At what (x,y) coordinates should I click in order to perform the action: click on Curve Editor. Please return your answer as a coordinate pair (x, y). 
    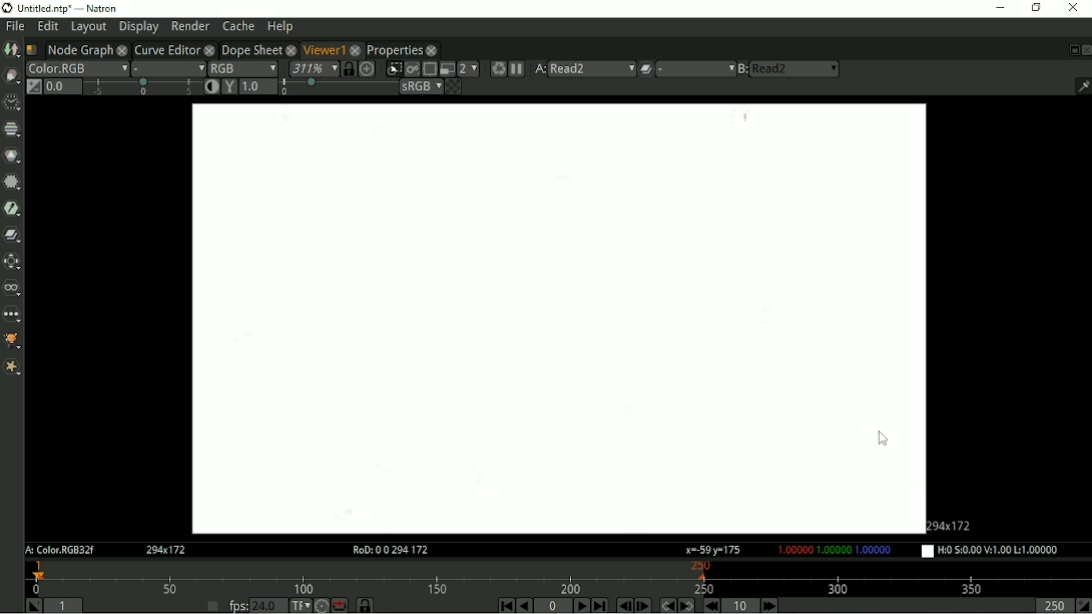
    Looking at the image, I should click on (166, 49).